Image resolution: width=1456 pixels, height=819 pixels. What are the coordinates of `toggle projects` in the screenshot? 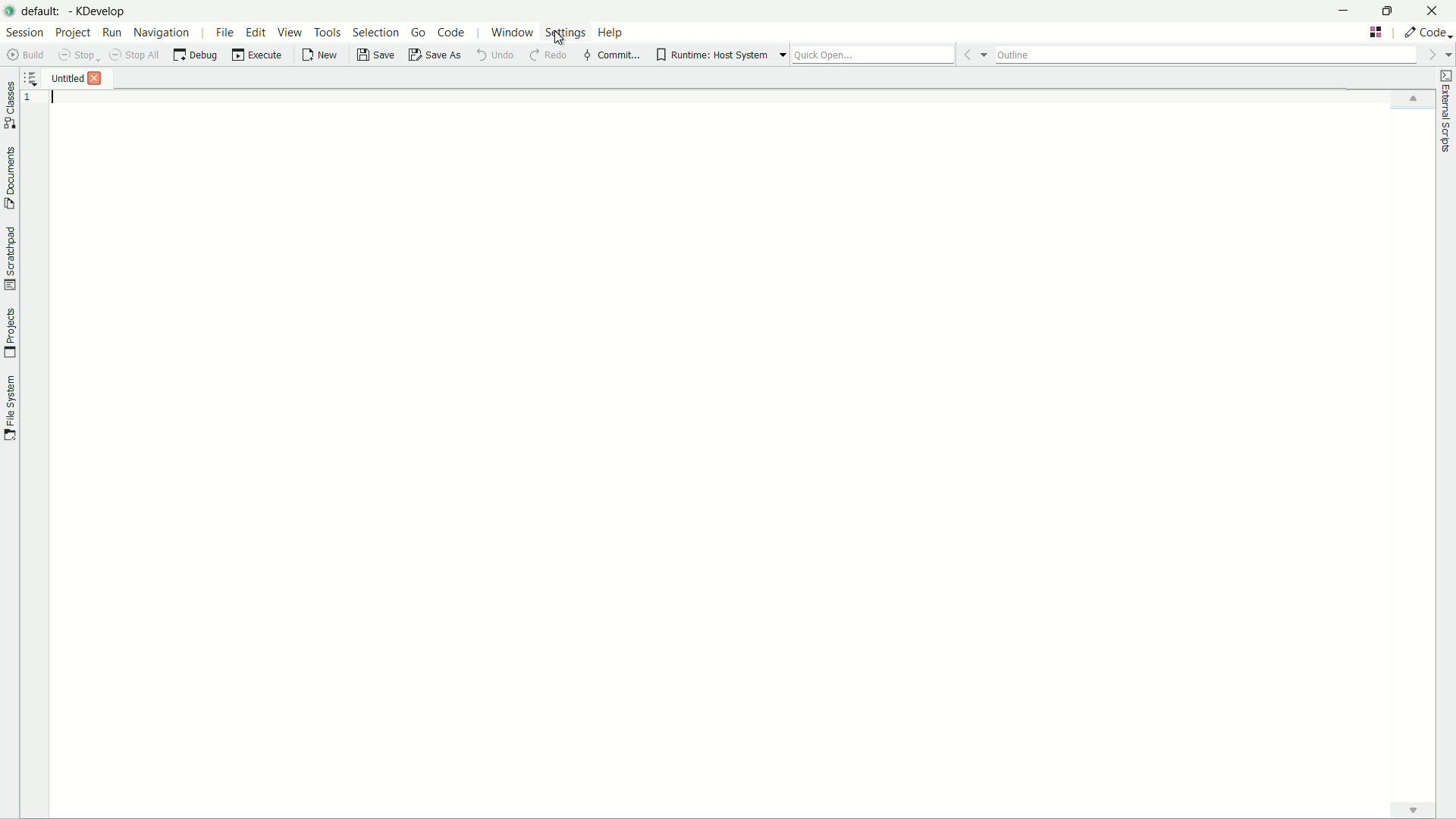 It's located at (10, 333).